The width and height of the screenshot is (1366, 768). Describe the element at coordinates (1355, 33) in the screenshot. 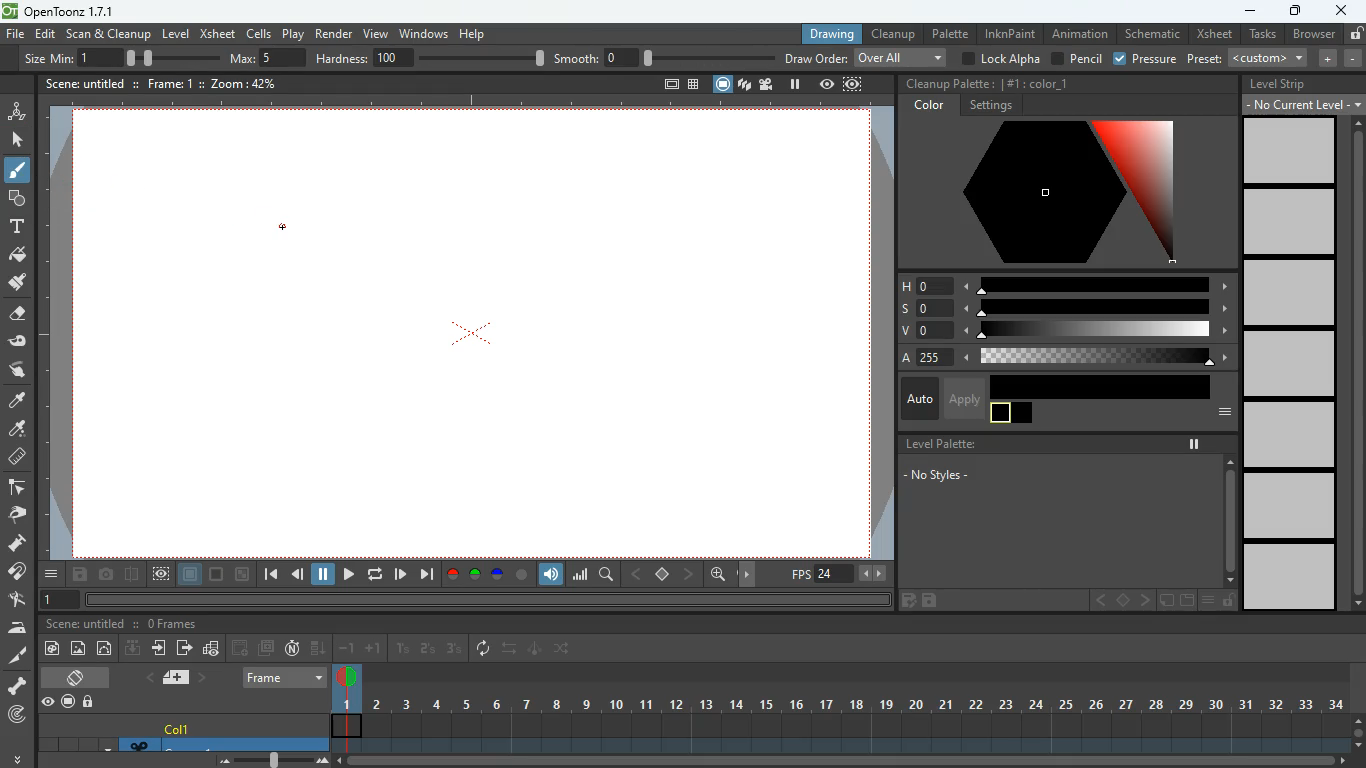

I see `unlock` at that location.